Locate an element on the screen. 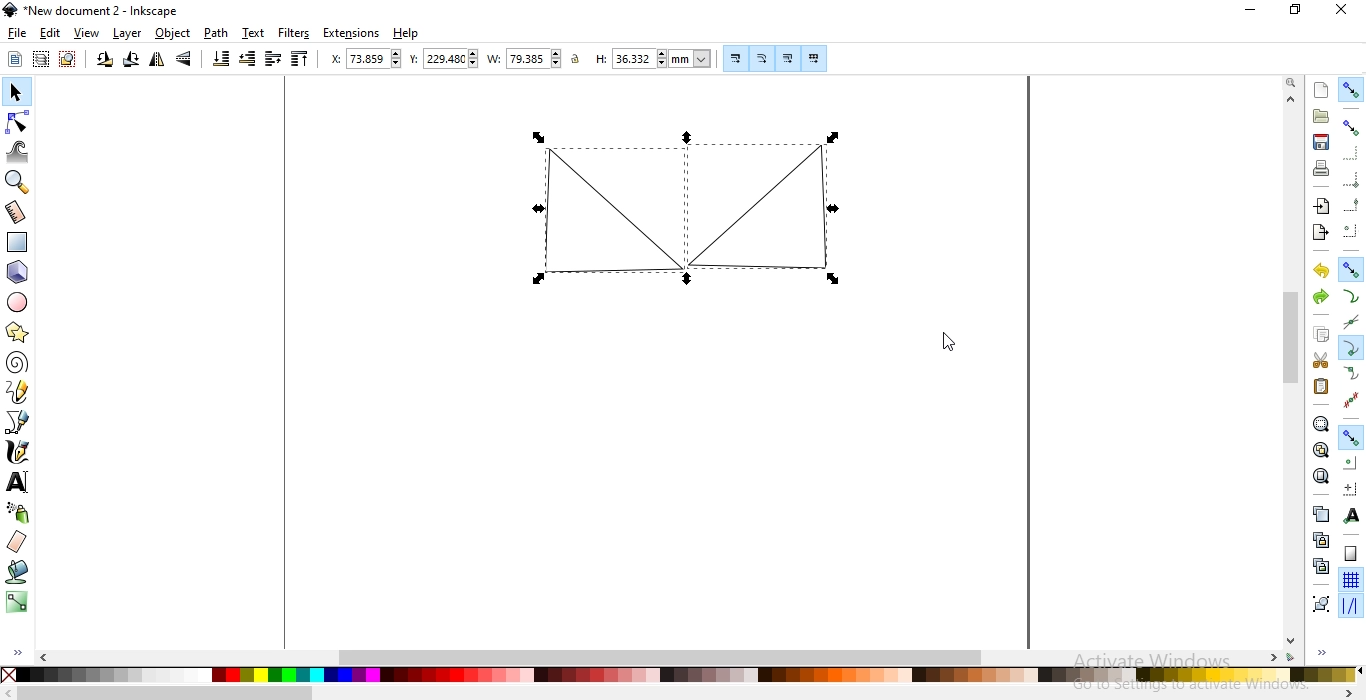  scale radii of rounded corners is located at coordinates (762, 58).